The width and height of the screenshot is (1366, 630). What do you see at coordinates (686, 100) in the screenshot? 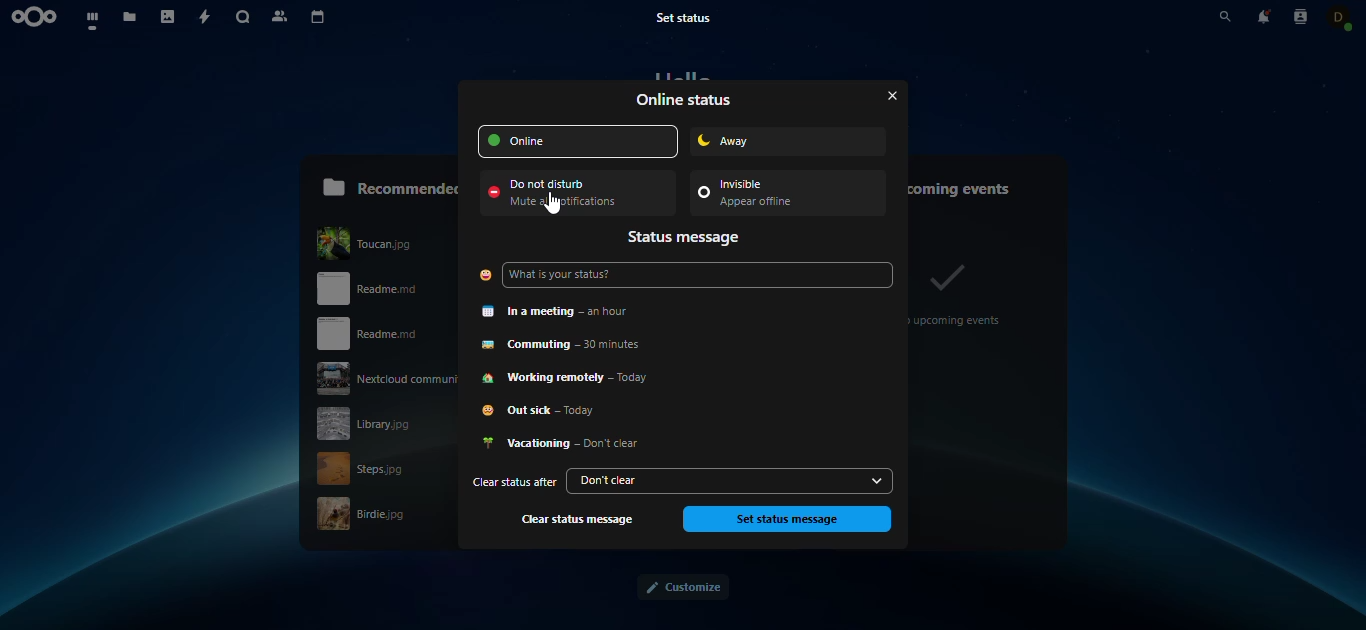
I see `online status` at bounding box center [686, 100].